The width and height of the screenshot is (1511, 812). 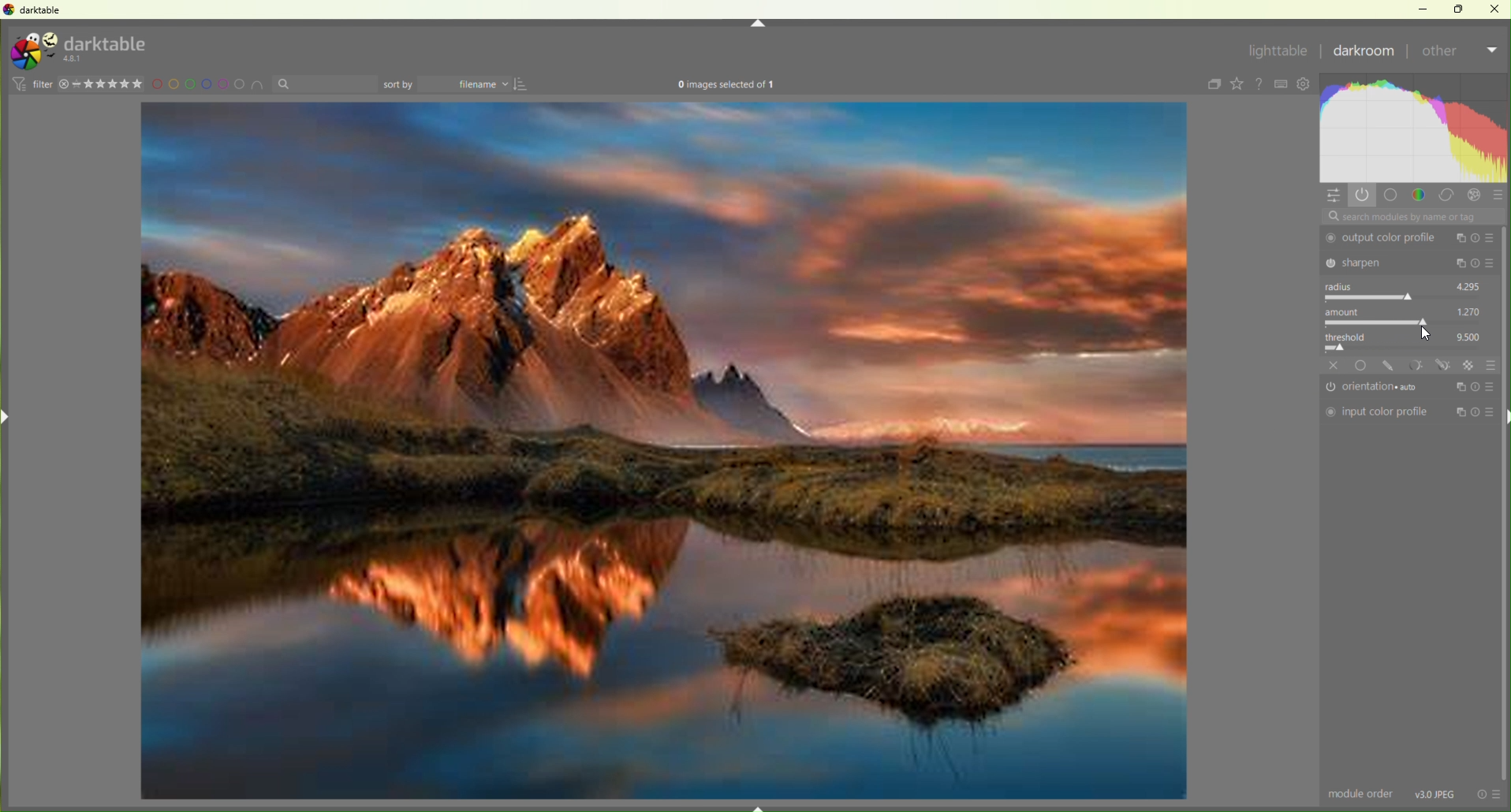 I want to click on Details , so click(x=1436, y=793).